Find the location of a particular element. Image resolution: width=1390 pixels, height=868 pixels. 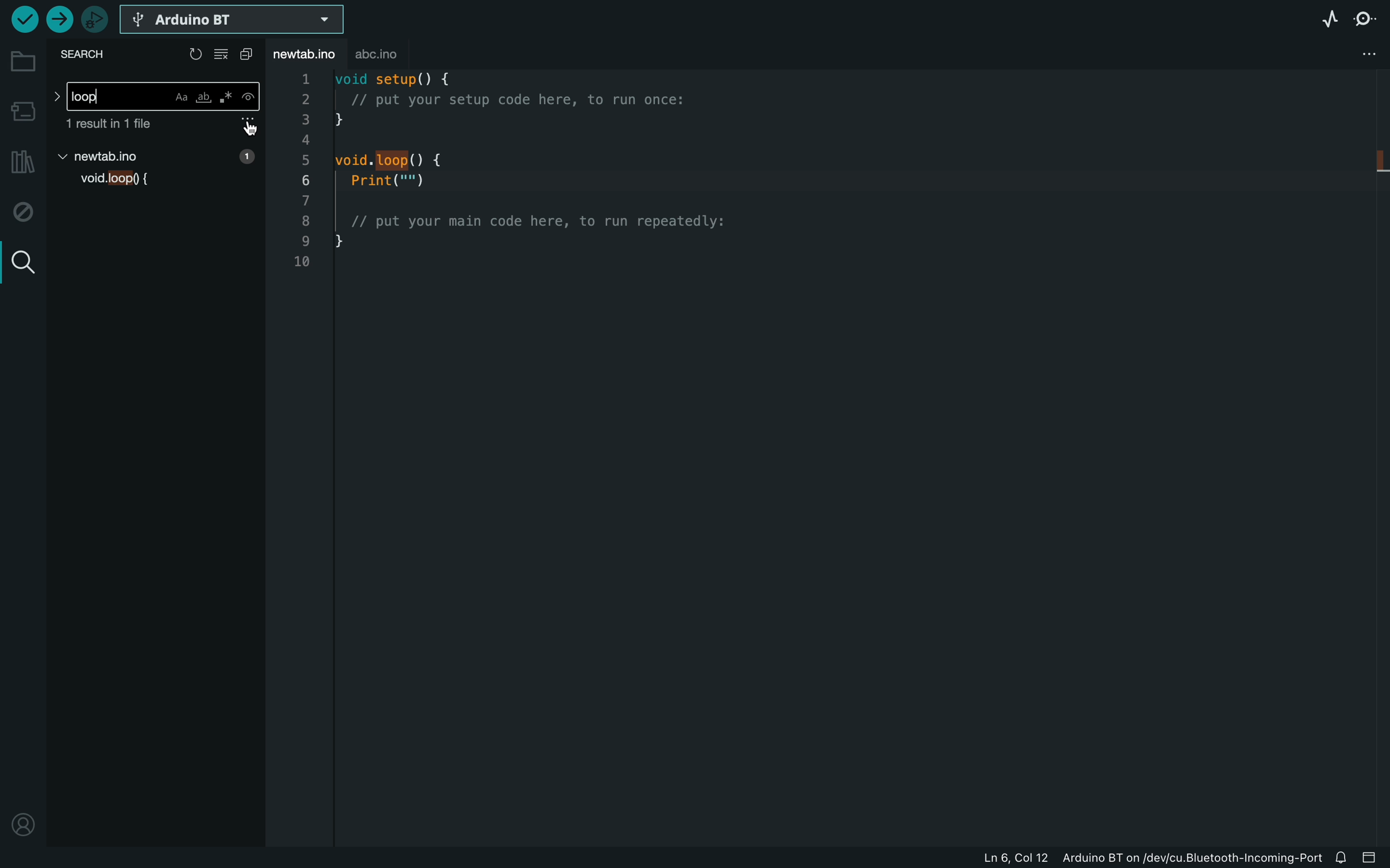

library manager is located at coordinates (20, 164).